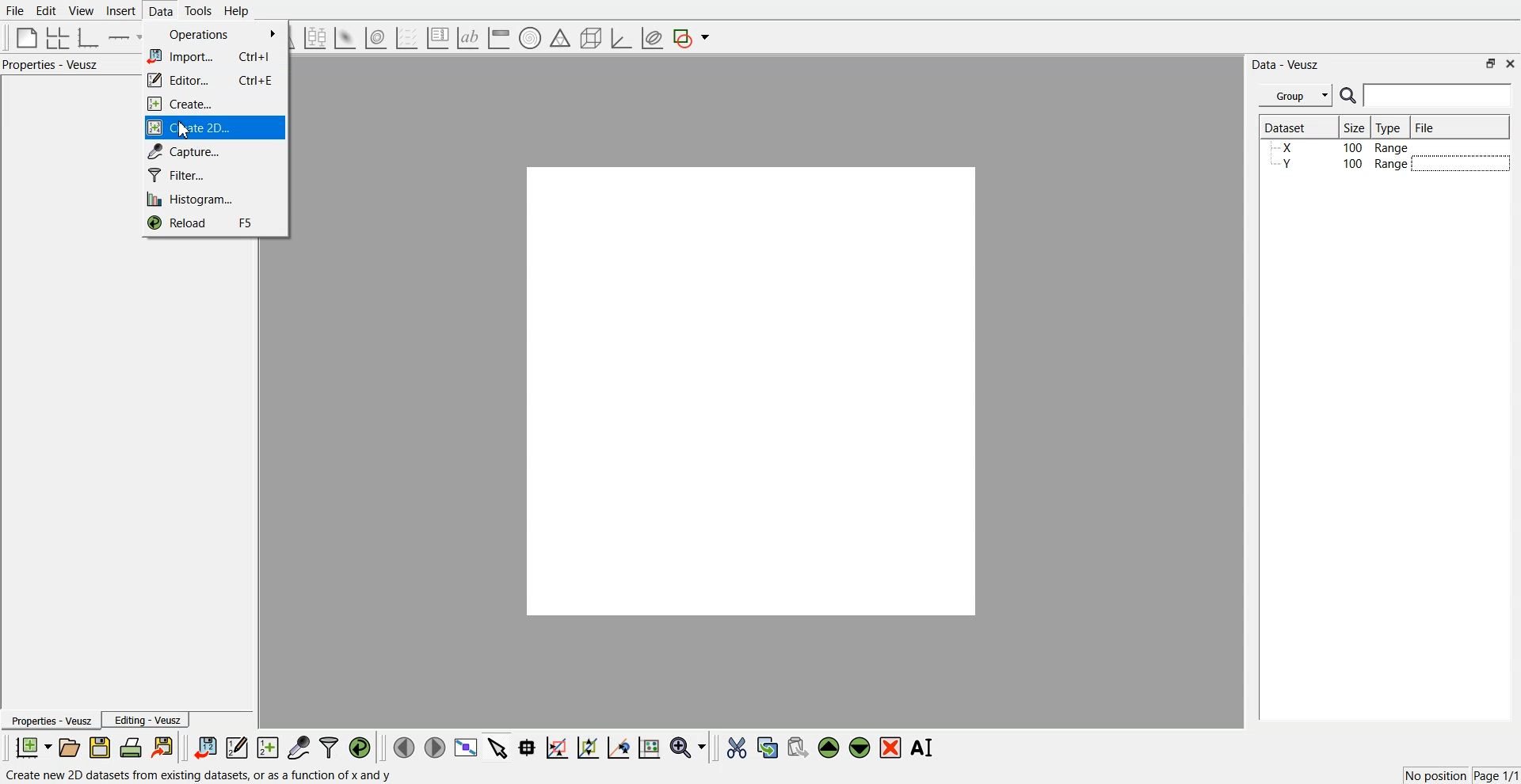 The height and width of the screenshot is (784, 1521). What do you see at coordinates (1491, 63) in the screenshot?
I see `Maximize` at bounding box center [1491, 63].